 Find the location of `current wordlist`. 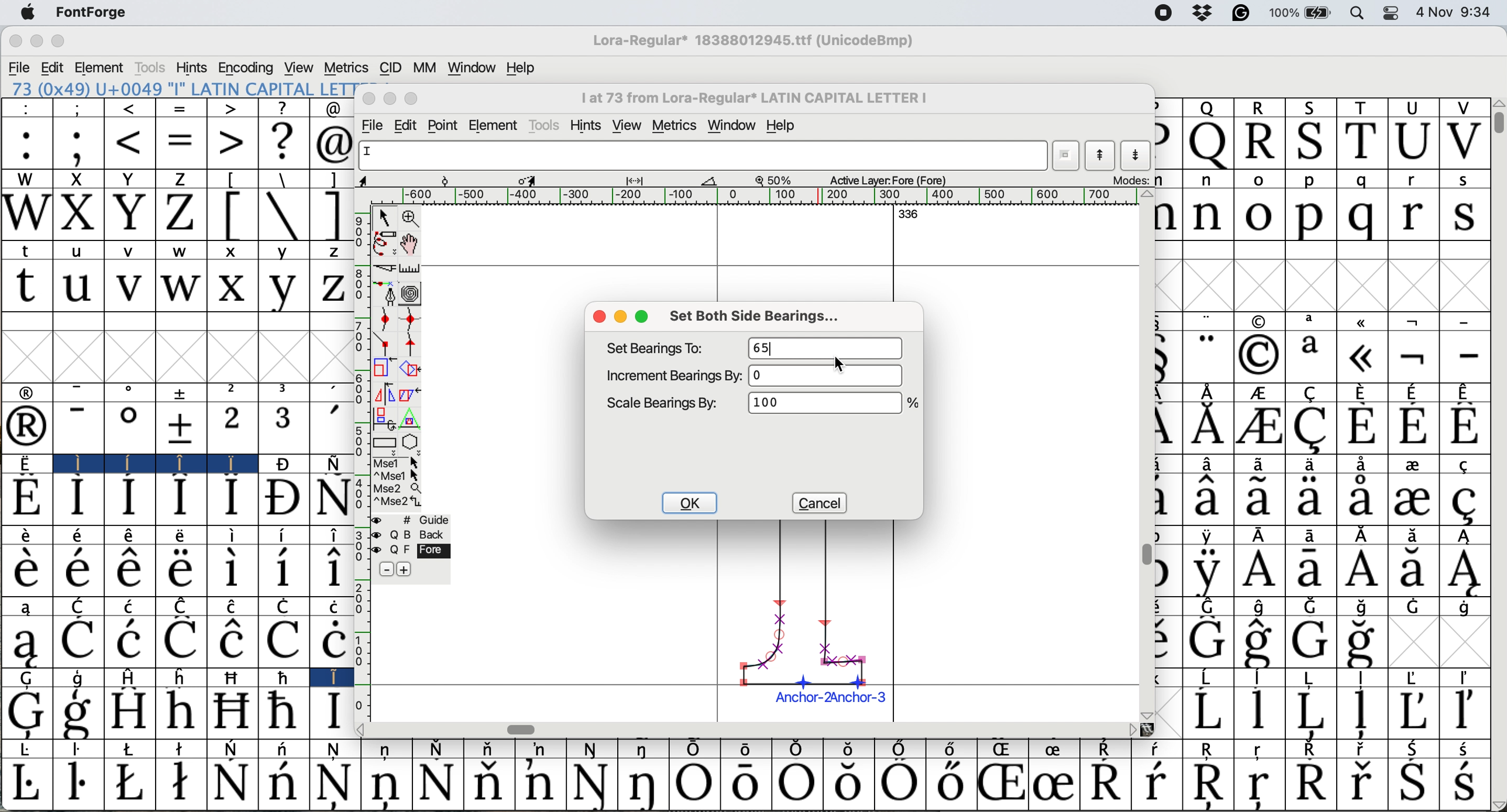

current wordlist is located at coordinates (1067, 156).